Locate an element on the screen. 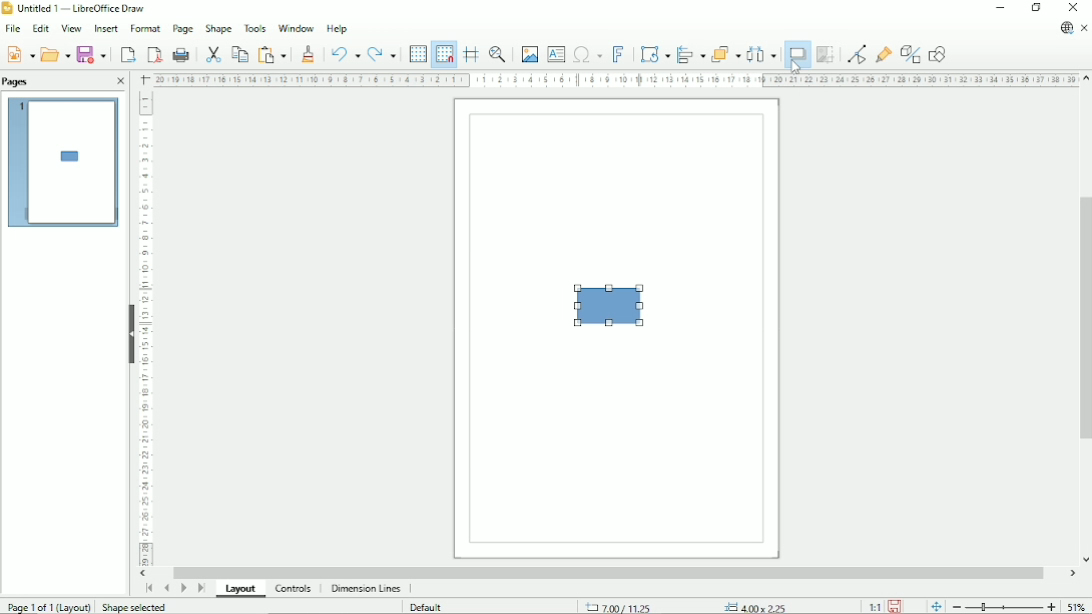 The image size is (1092, 614). Last page is located at coordinates (201, 589).